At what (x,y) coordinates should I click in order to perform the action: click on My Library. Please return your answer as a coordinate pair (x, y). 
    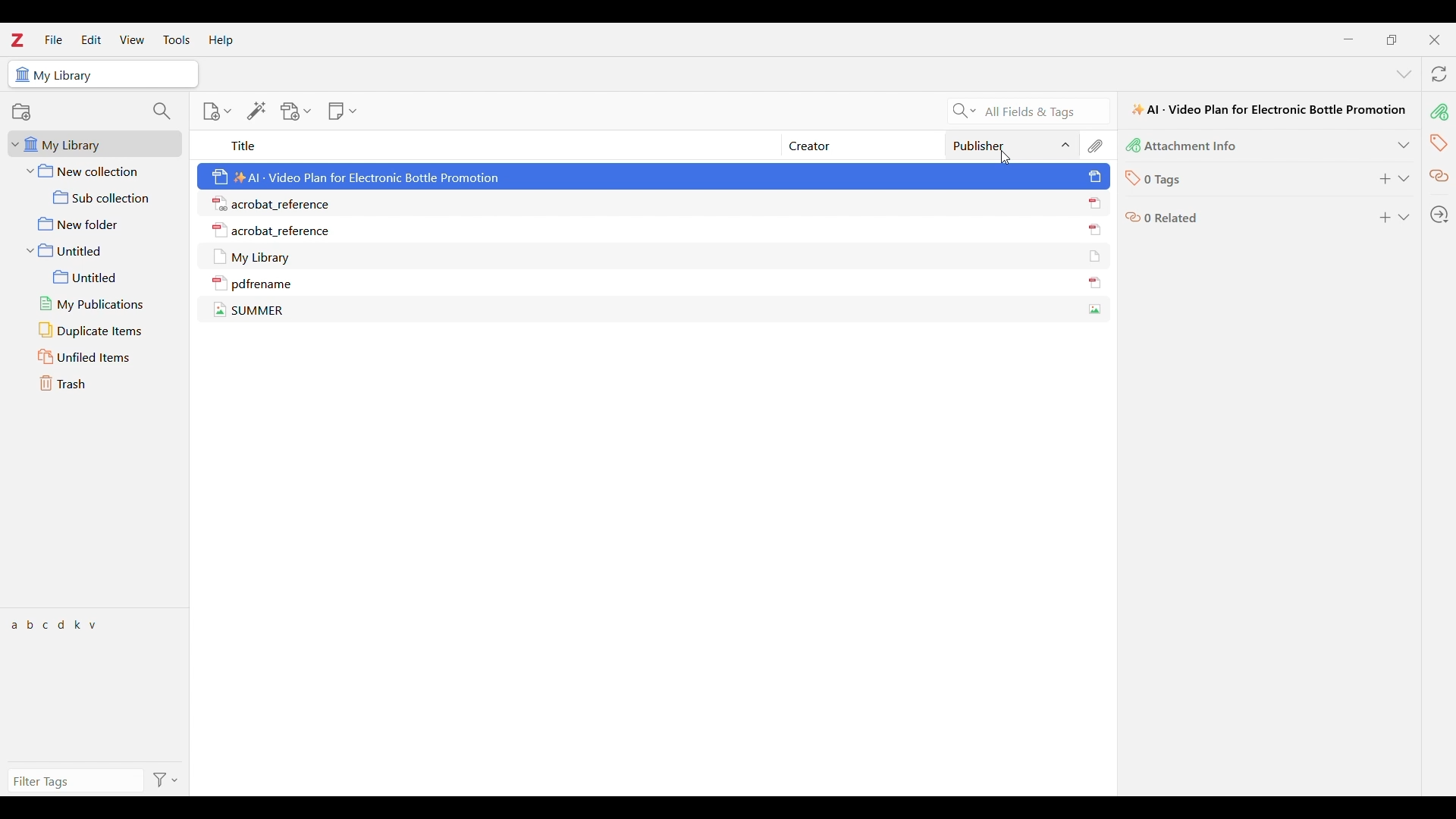
    Looking at the image, I should click on (259, 255).